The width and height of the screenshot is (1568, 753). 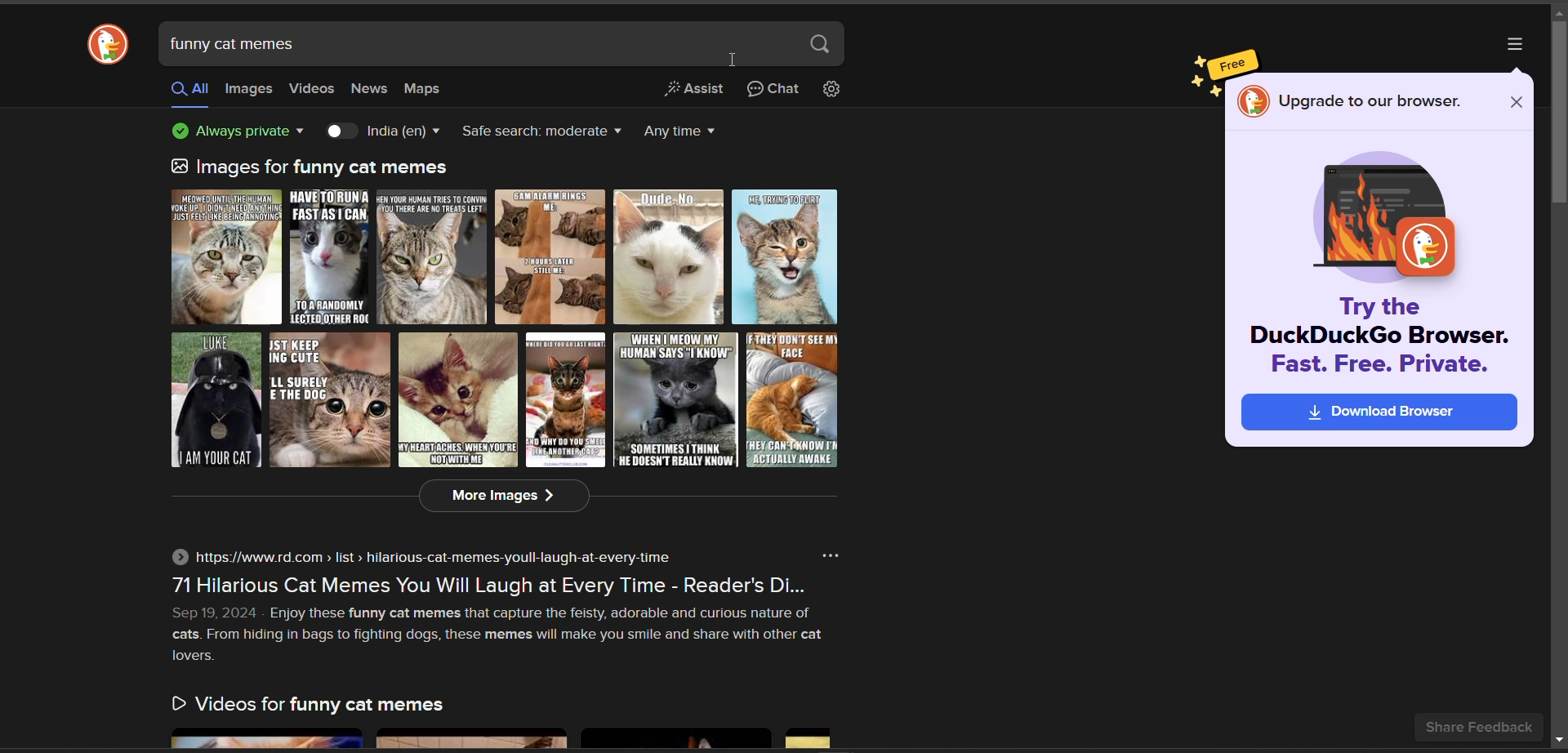 I want to click on chat, so click(x=770, y=92).